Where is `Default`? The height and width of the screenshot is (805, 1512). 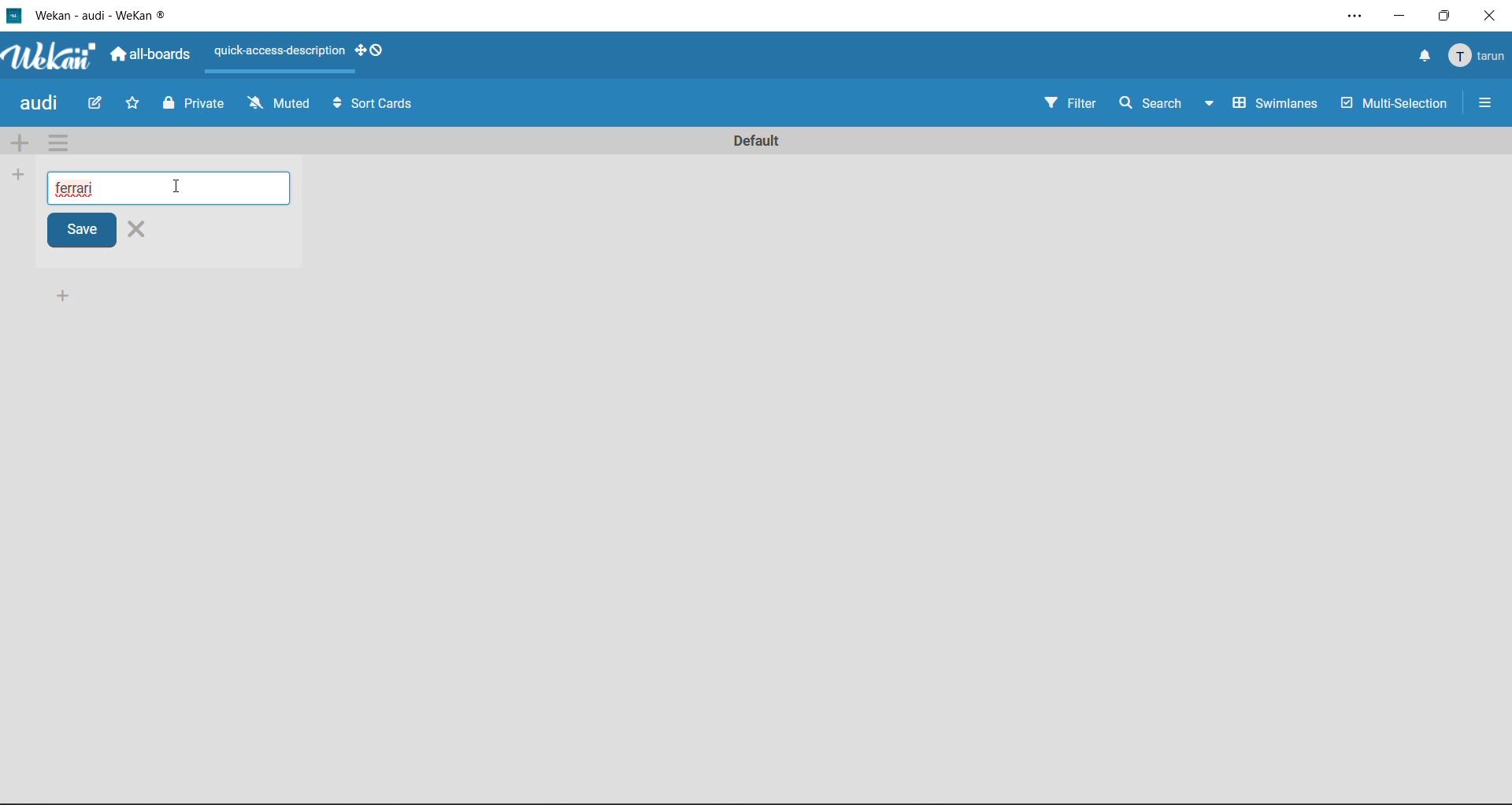 Default is located at coordinates (756, 136).